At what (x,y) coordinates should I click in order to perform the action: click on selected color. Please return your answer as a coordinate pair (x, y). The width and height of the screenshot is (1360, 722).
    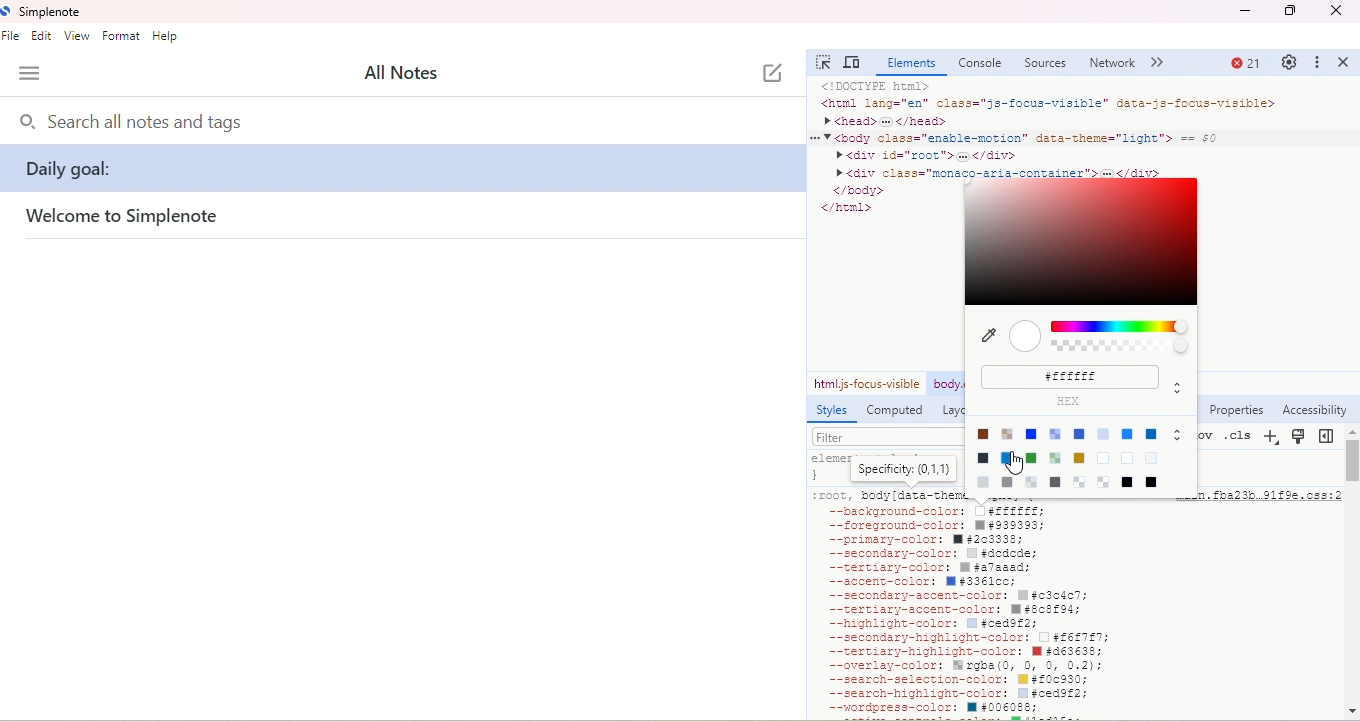
    Looking at the image, I should click on (1026, 337).